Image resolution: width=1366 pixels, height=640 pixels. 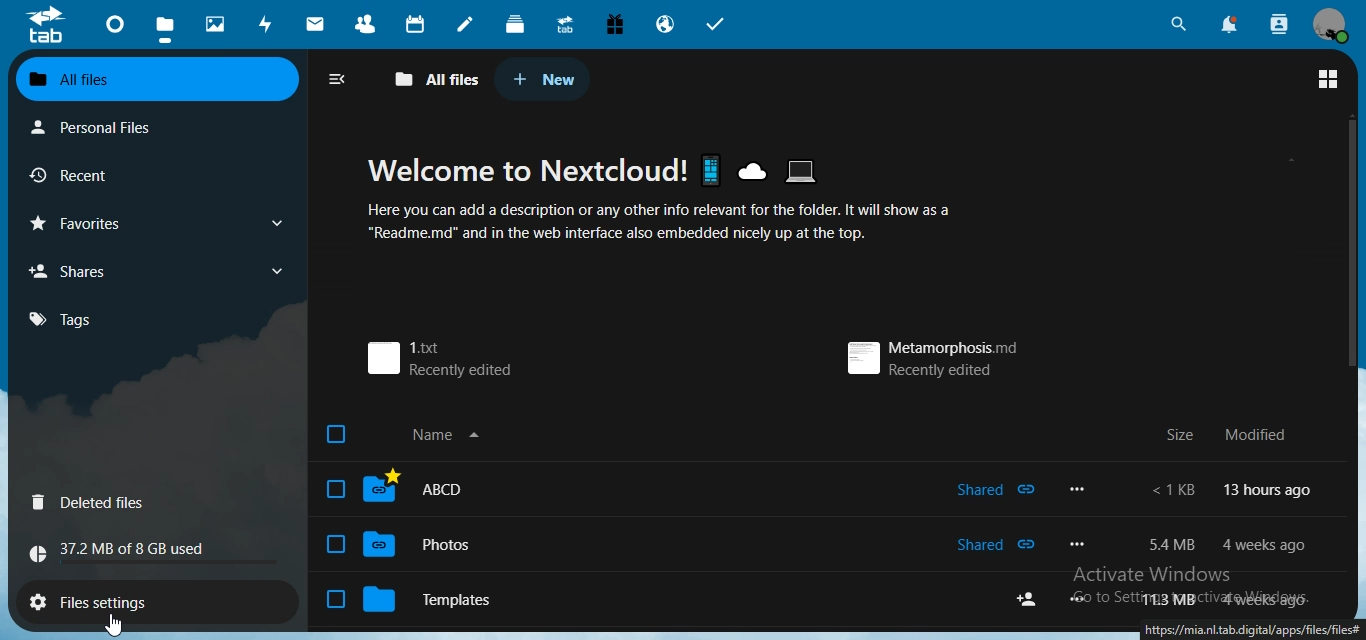 I want to click on 1.txt, so click(x=447, y=356).